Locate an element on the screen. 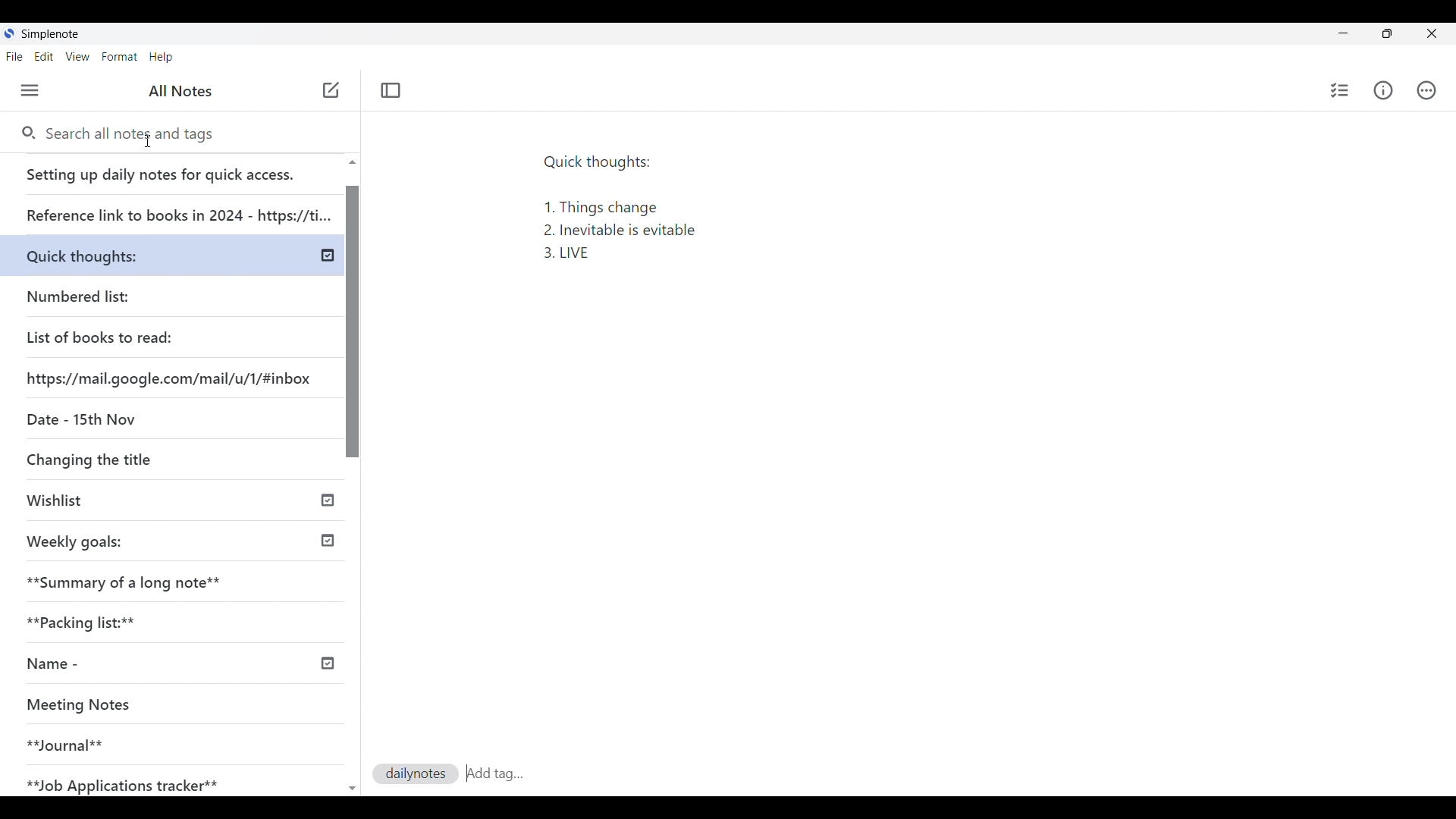 Image resolution: width=1456 pixels, height=819 pixels. Add tag is located at coordinates (494, 771).